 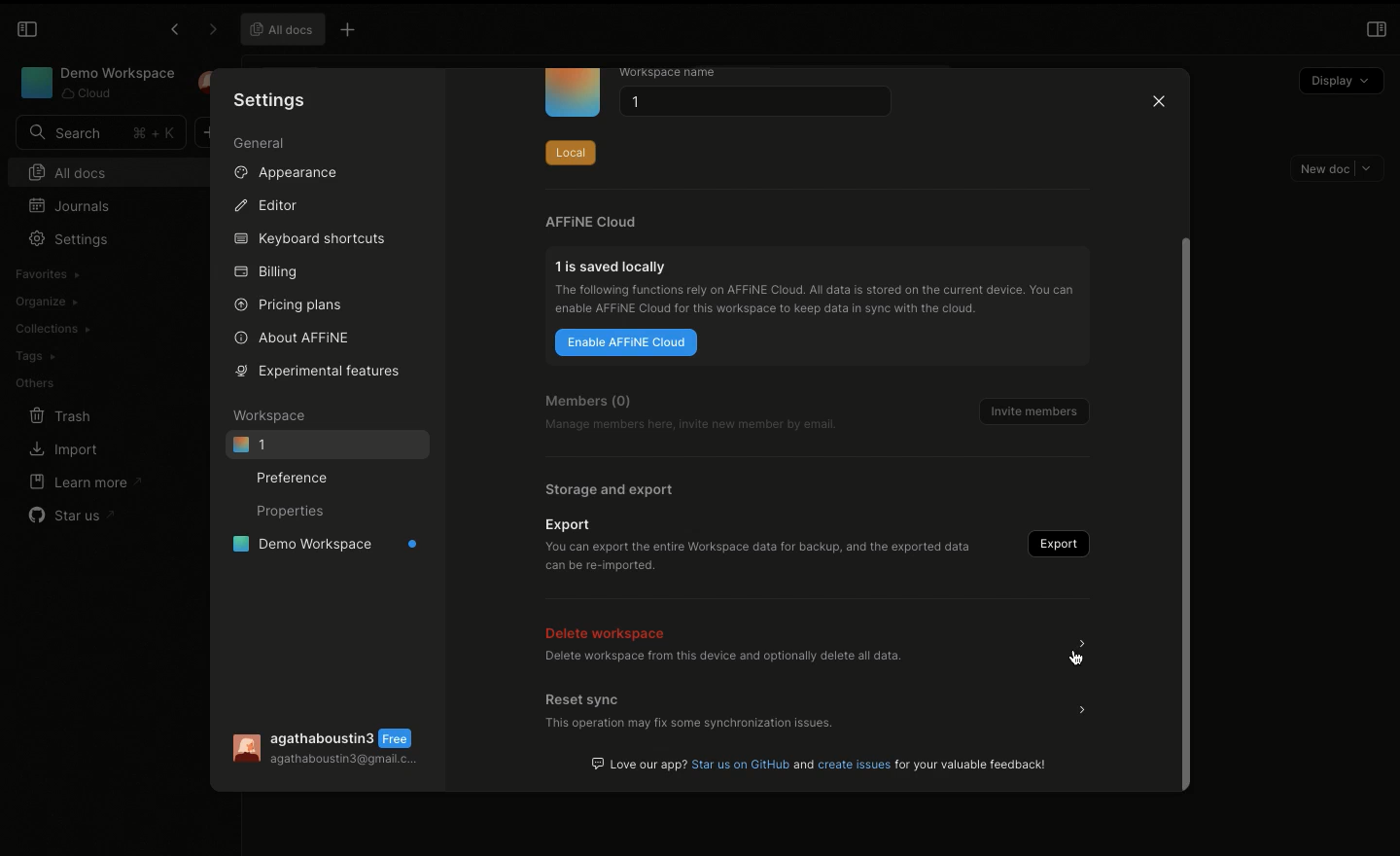 I want to click on Forward, so click(x=209, y=30).